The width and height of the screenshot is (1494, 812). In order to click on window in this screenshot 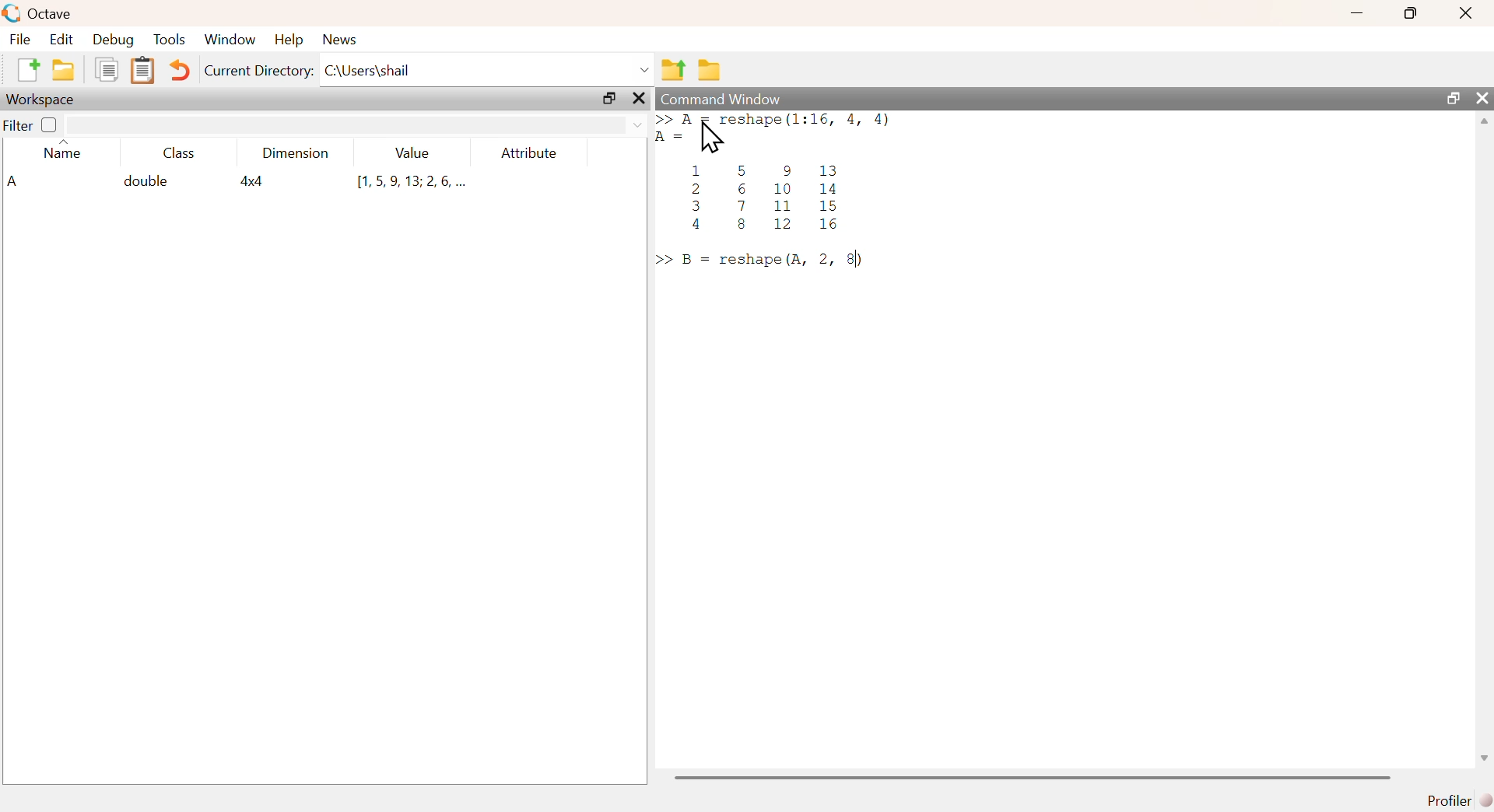, I will do `click(232, 39)`.